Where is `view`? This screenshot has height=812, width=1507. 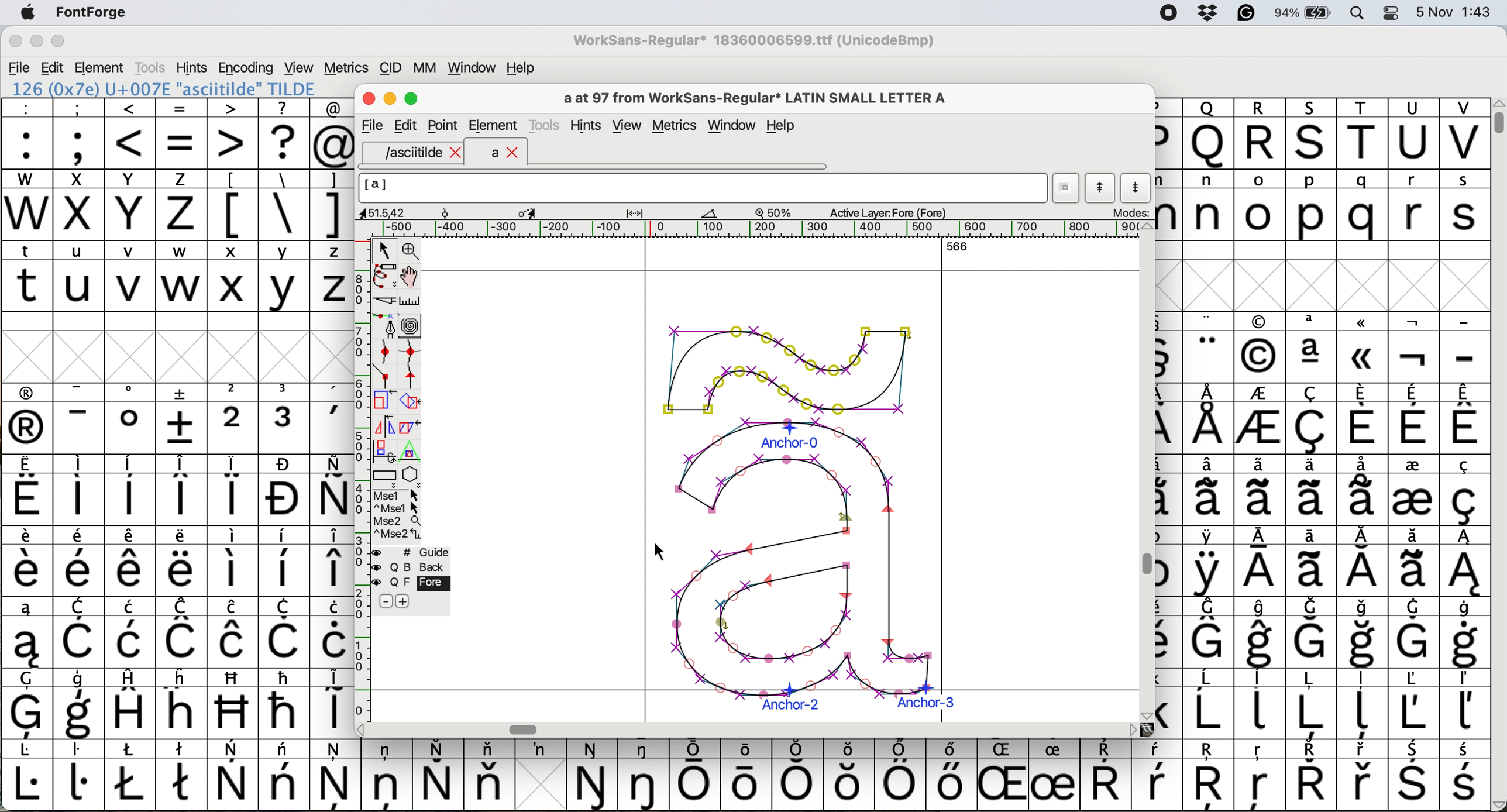
view is located at coordinates (626, 126).